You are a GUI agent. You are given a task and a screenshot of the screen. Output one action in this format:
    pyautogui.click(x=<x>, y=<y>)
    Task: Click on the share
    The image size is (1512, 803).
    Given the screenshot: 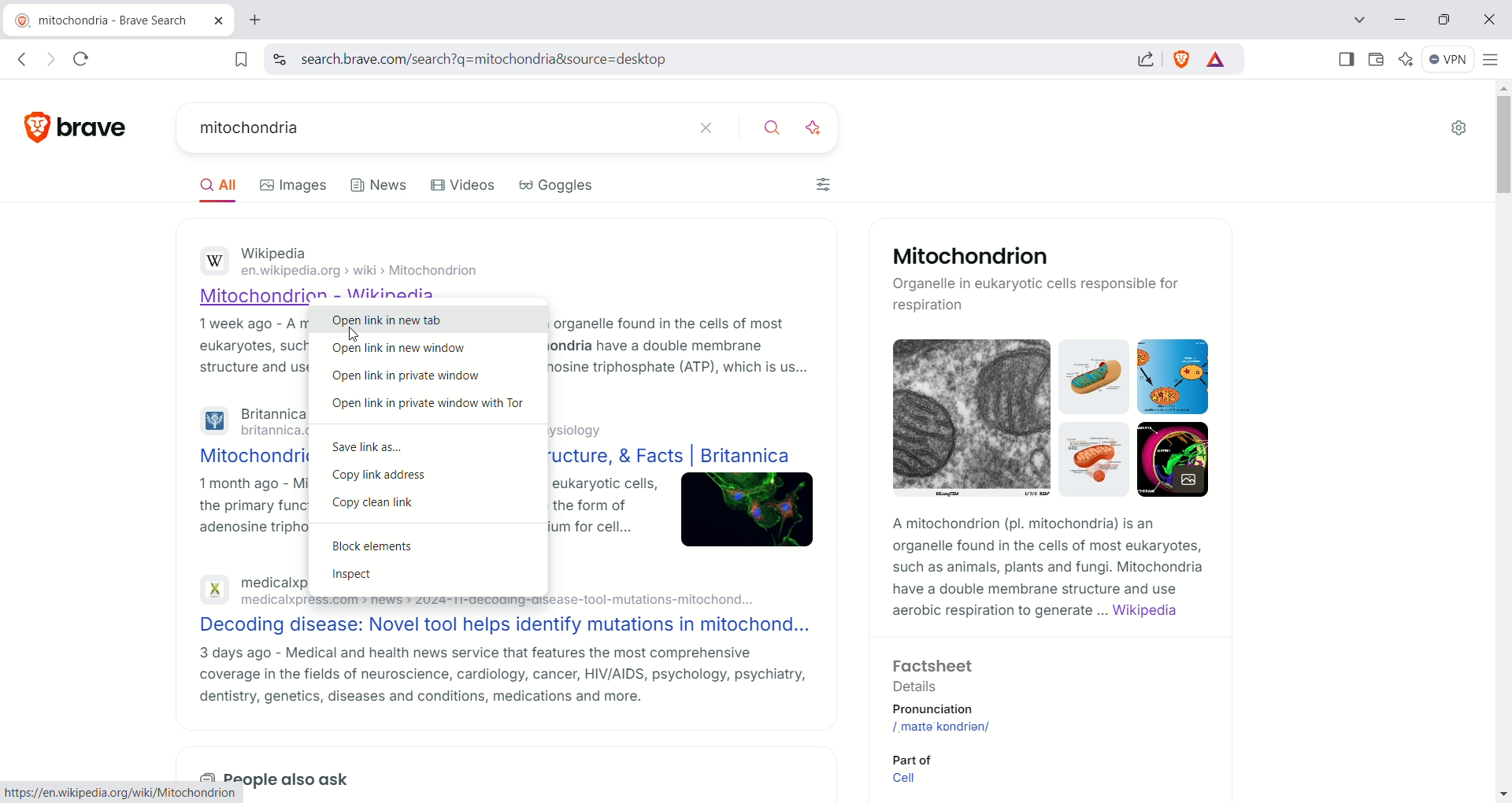 What is the action you would take?
    pyautogui.click(x=1146, y=60)
    